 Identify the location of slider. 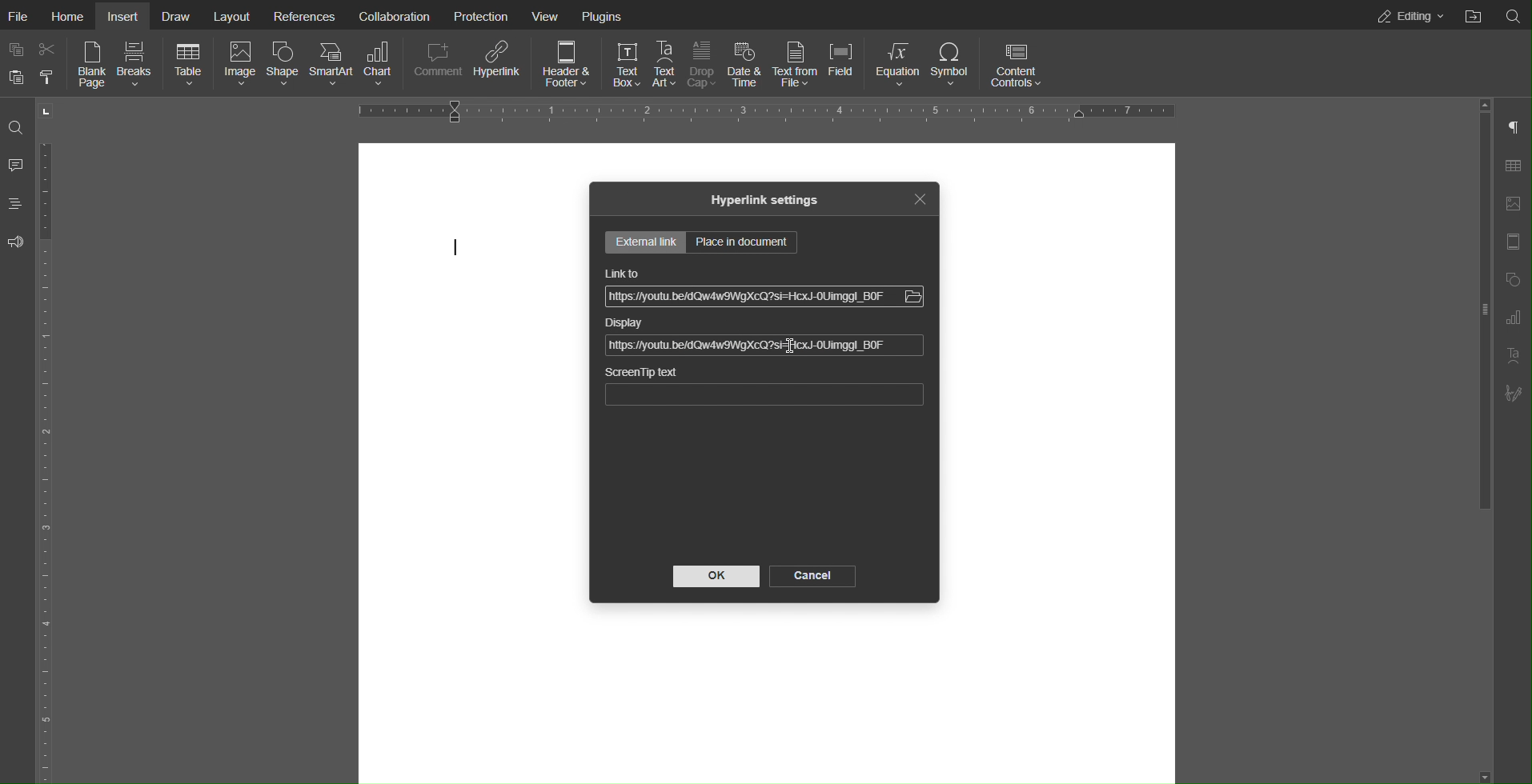
(1476, 338).